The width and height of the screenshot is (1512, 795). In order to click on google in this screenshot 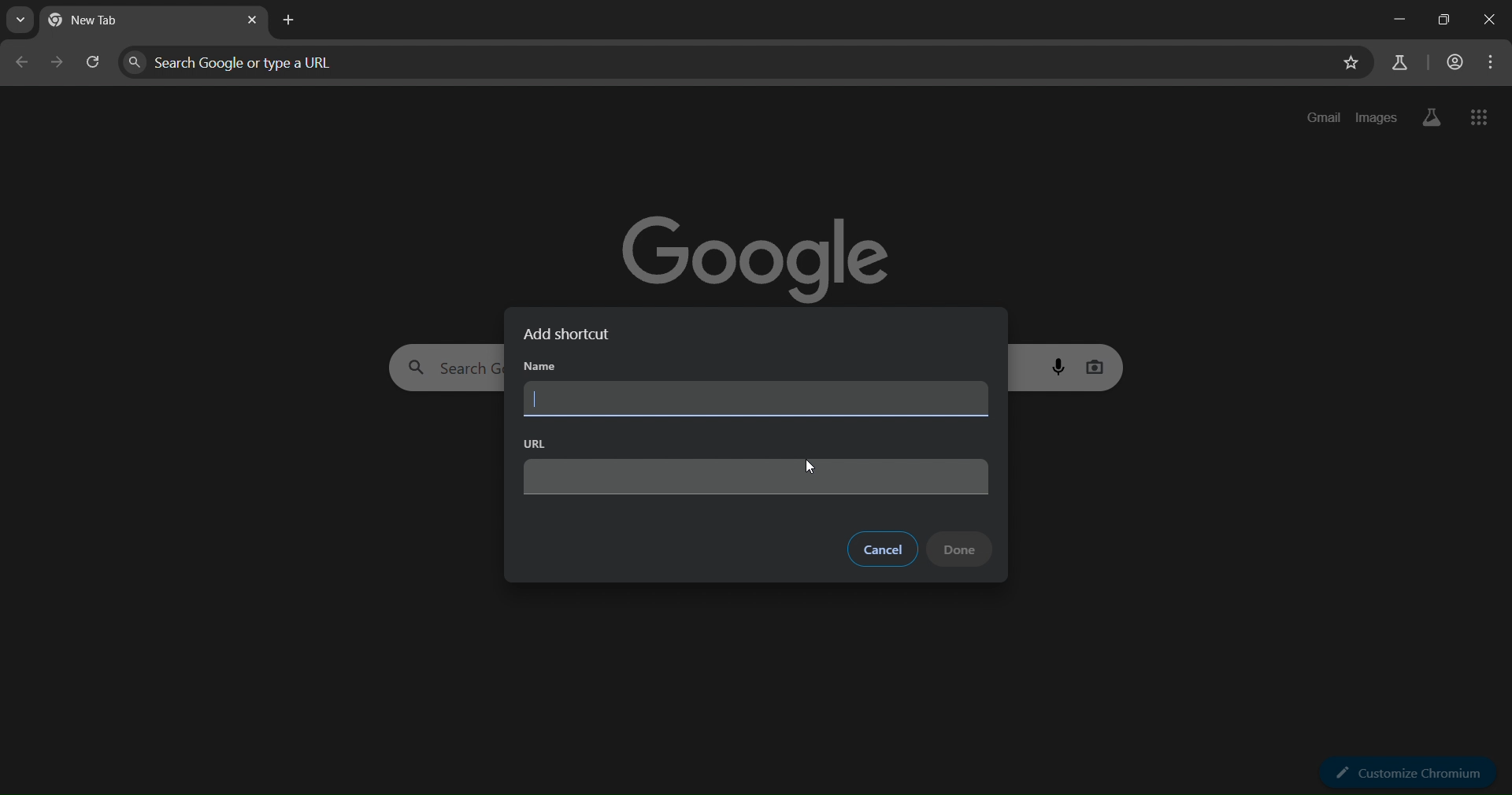, I will do `click(762, 250)`.